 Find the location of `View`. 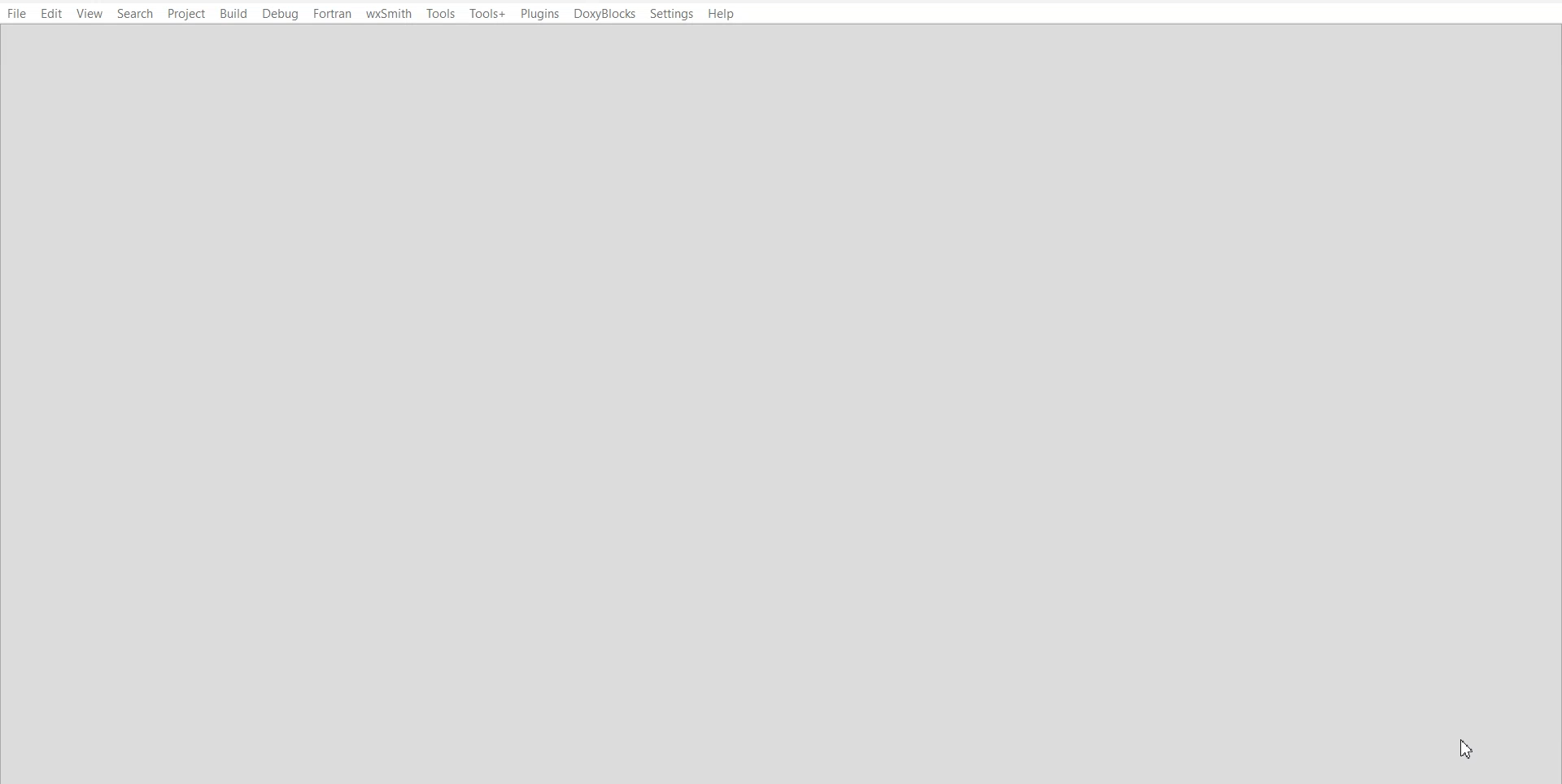

View is located at coordinates (89, 14).